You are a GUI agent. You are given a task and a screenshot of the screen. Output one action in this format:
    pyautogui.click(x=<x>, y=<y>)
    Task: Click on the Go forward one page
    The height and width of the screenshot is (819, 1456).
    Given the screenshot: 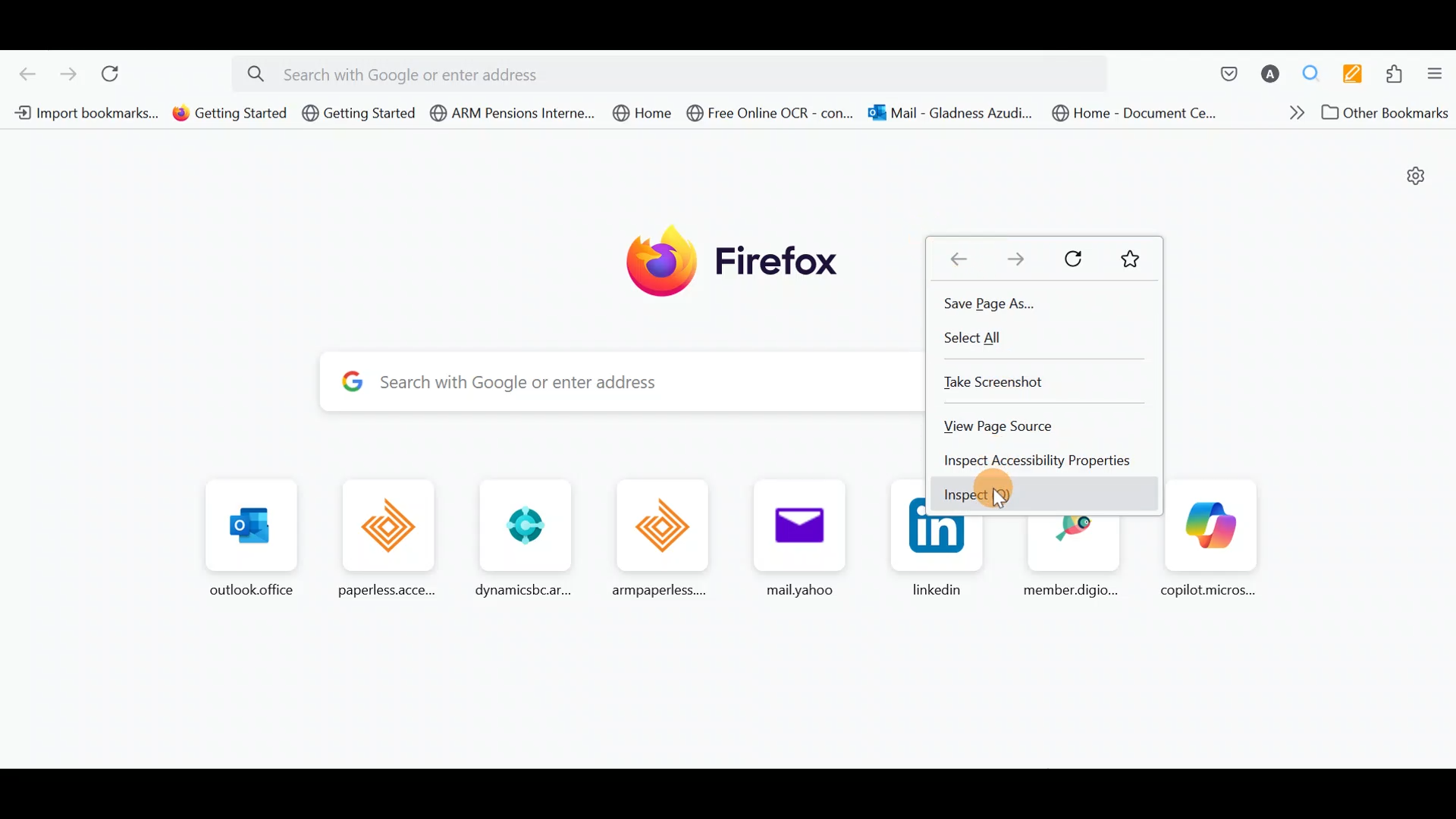 What is the action you would take?
    pyautogui.click(x=67, y=74)
    